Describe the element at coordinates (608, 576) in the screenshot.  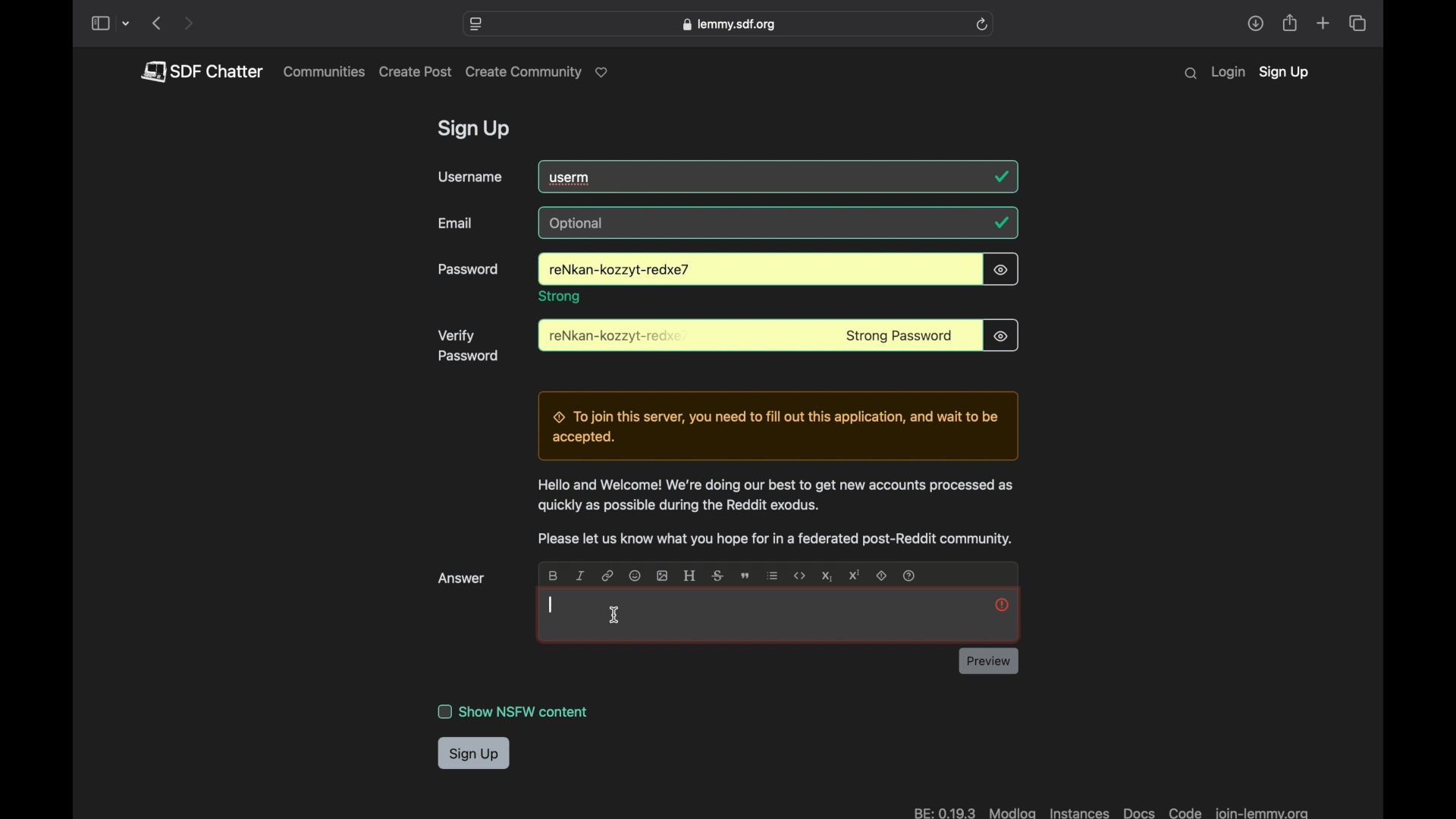
I see `link` at that location.